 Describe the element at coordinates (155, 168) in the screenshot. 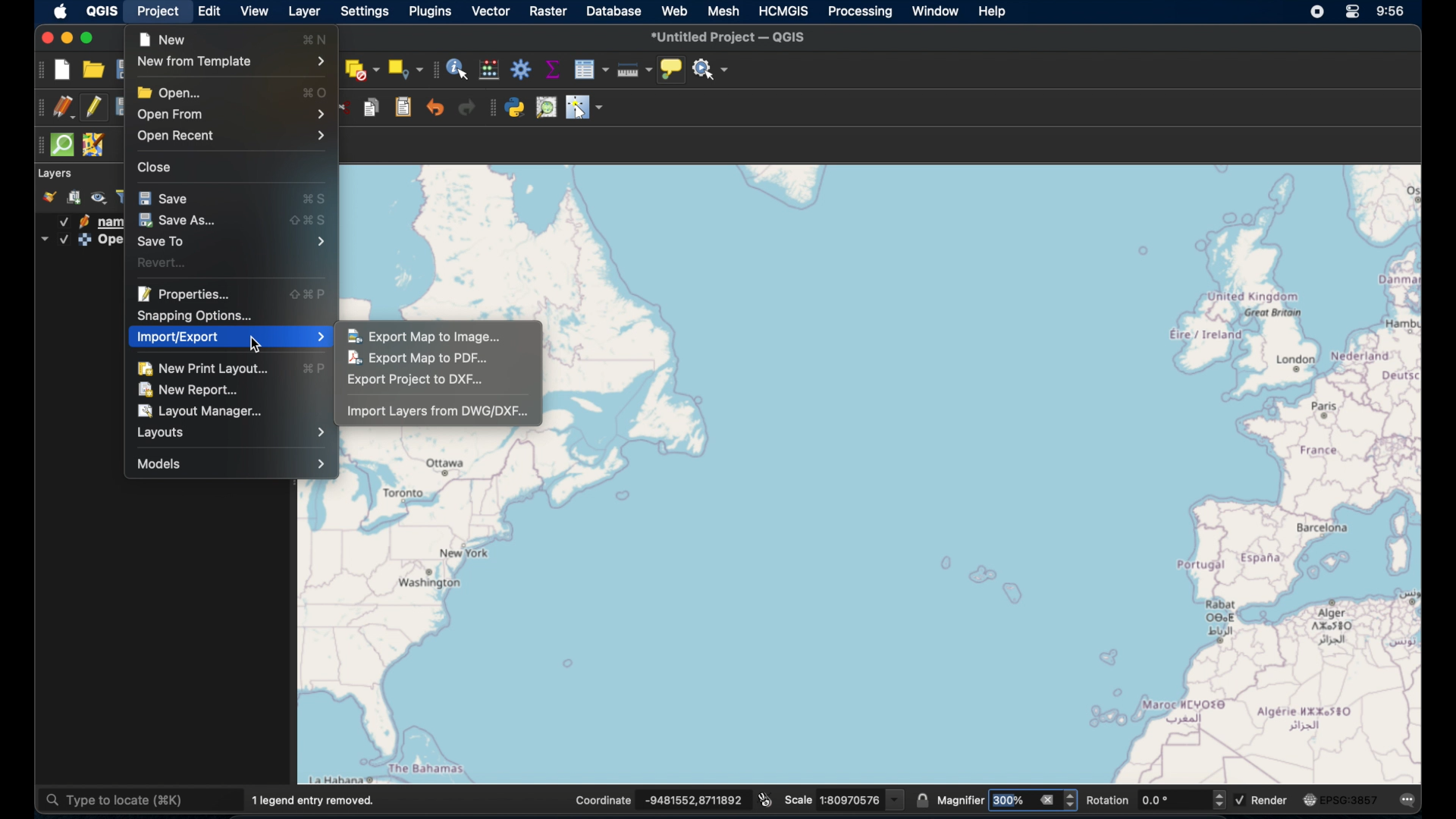

I see `close` at that location.